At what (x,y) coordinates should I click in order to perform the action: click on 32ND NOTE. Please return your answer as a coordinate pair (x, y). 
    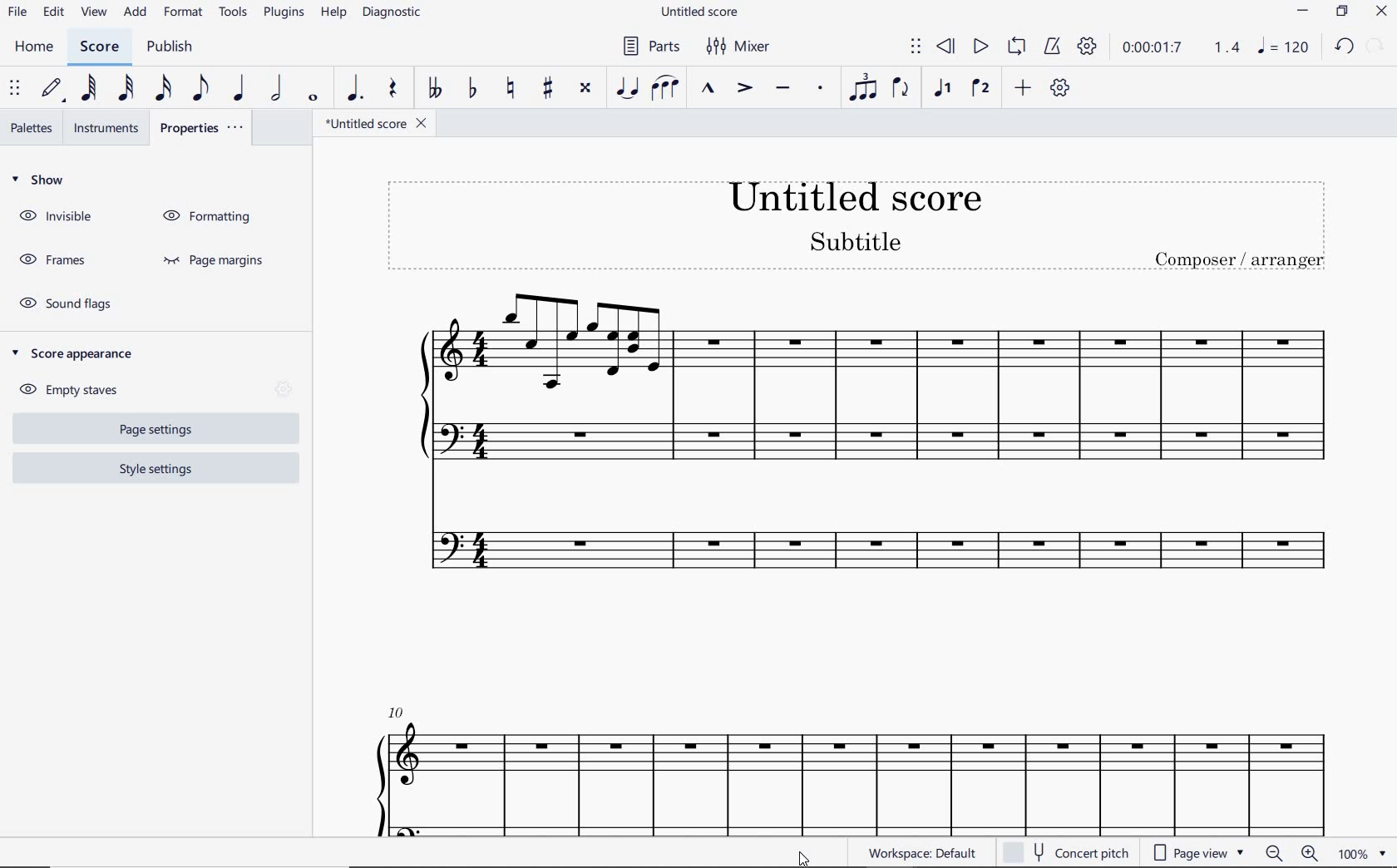
    Looking at the image, I should click on (129, 88).